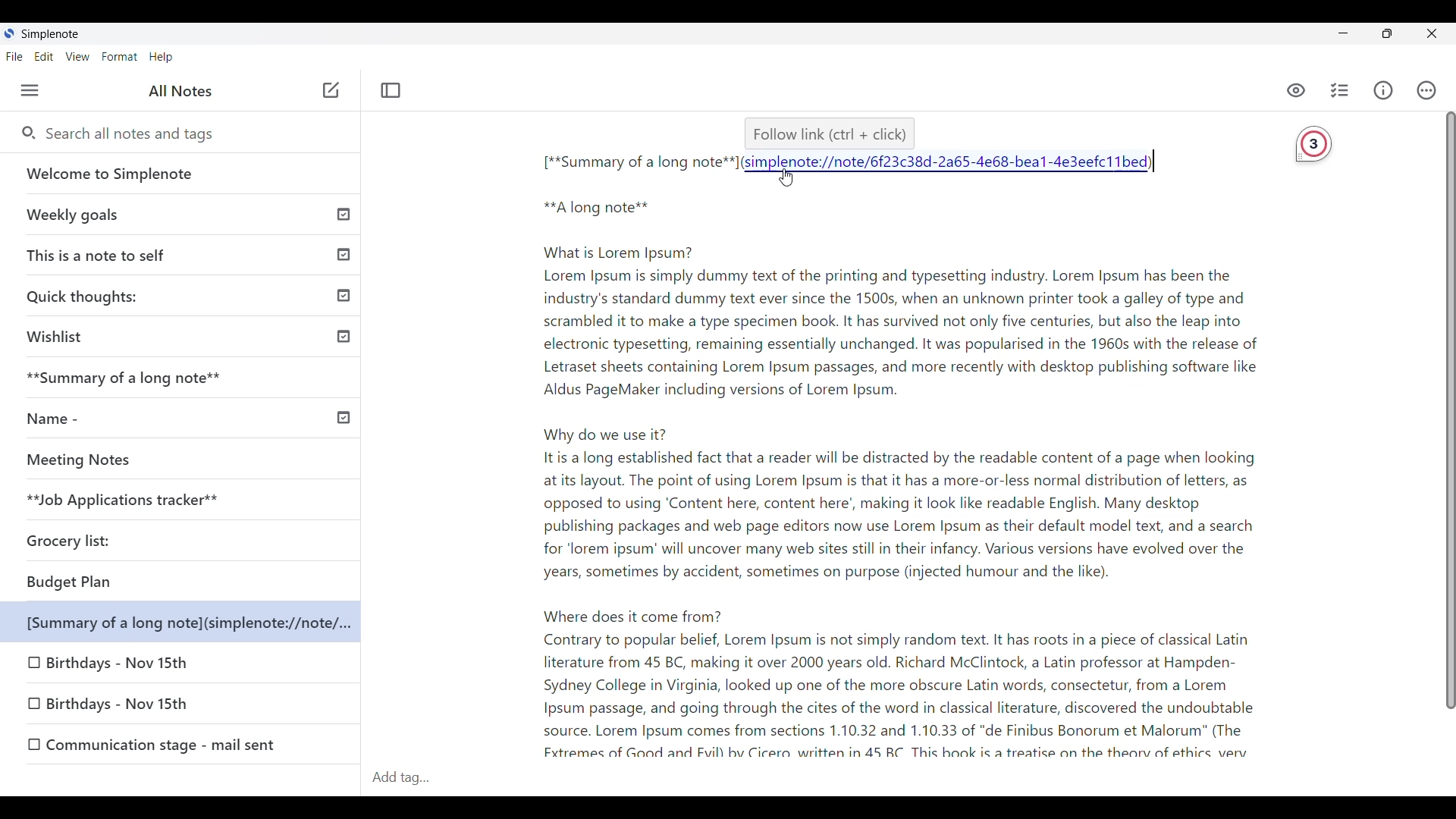  I want to click on Birthdays-Nov 15th, so click(121, 664).